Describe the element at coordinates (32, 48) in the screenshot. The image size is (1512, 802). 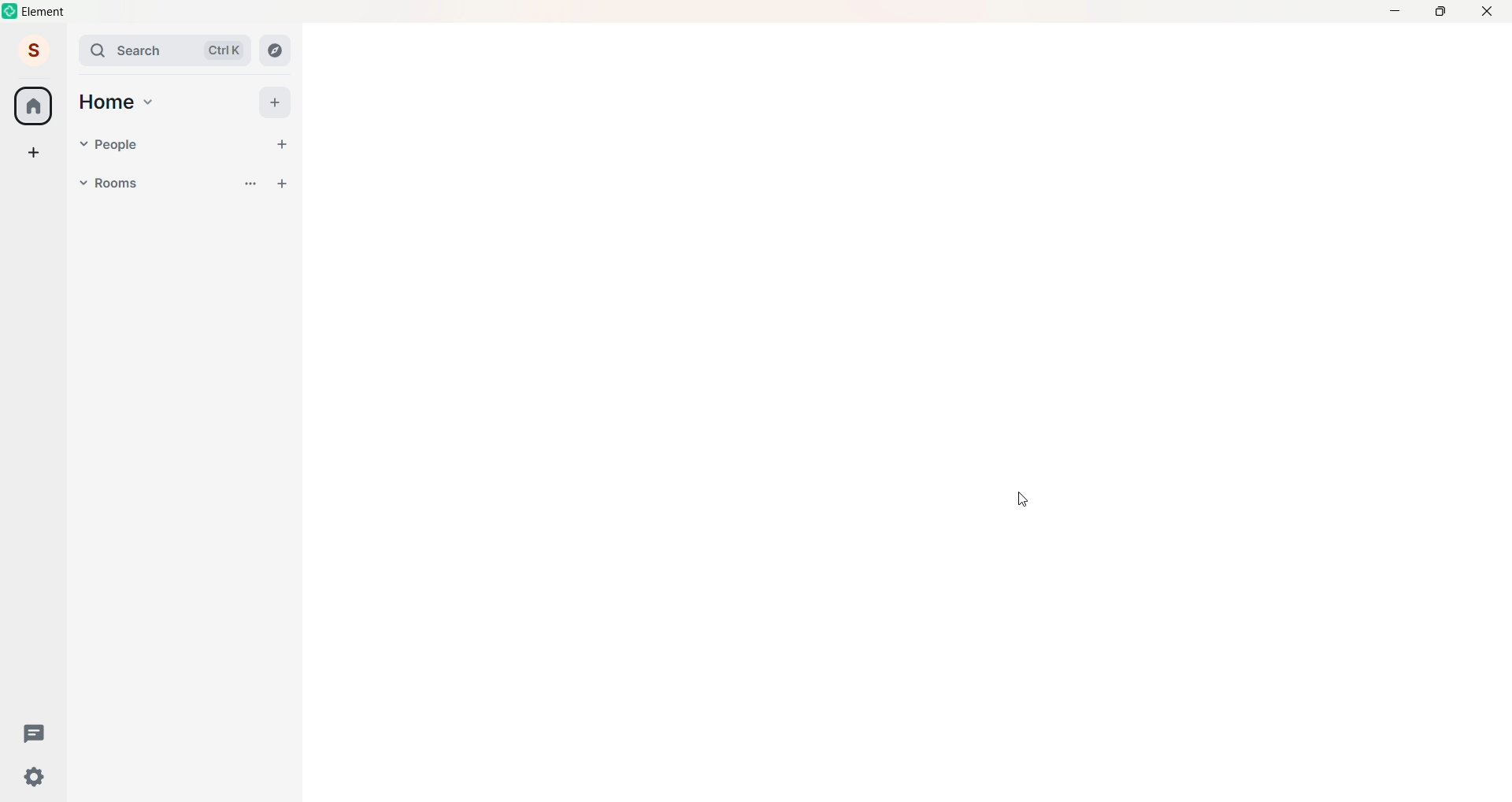
I see `Account` at that location.